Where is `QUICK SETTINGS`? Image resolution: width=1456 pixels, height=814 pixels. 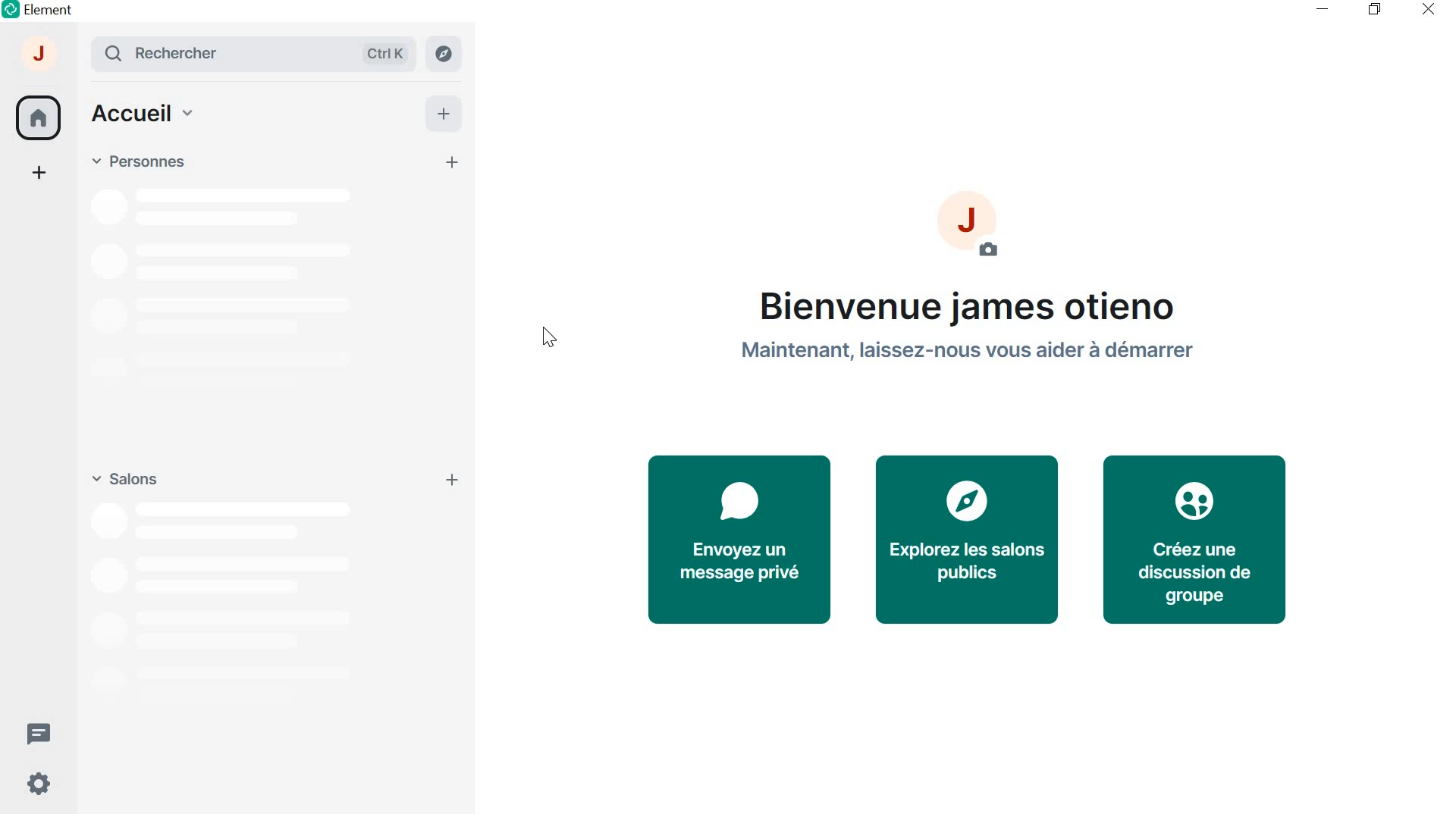
QUICK SETTINGS is located at coordinates (36, 786).